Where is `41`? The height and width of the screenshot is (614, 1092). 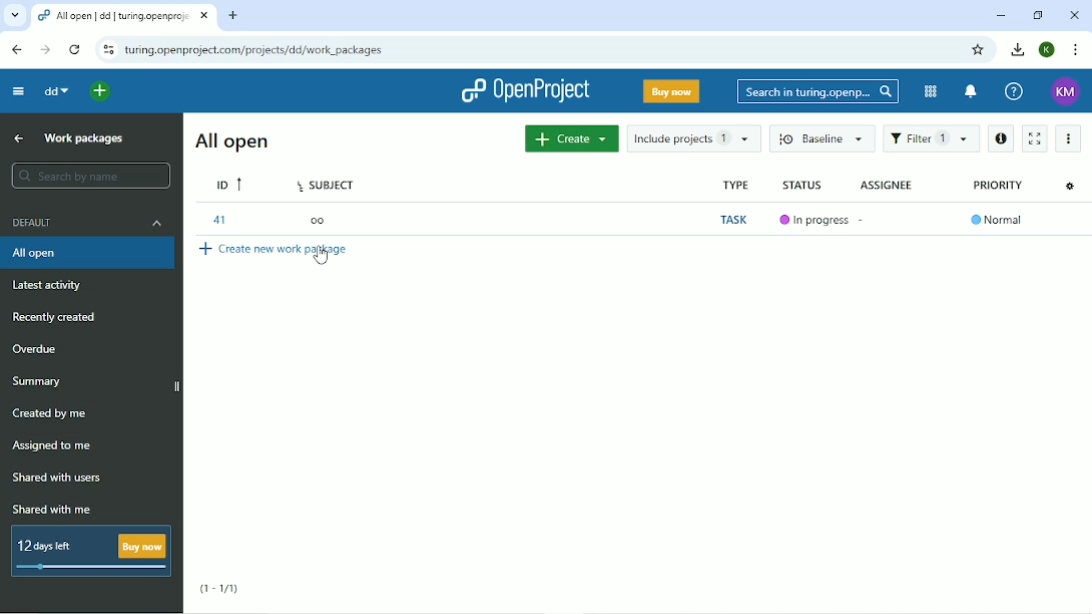 41 is located at coordinates (220, 221).